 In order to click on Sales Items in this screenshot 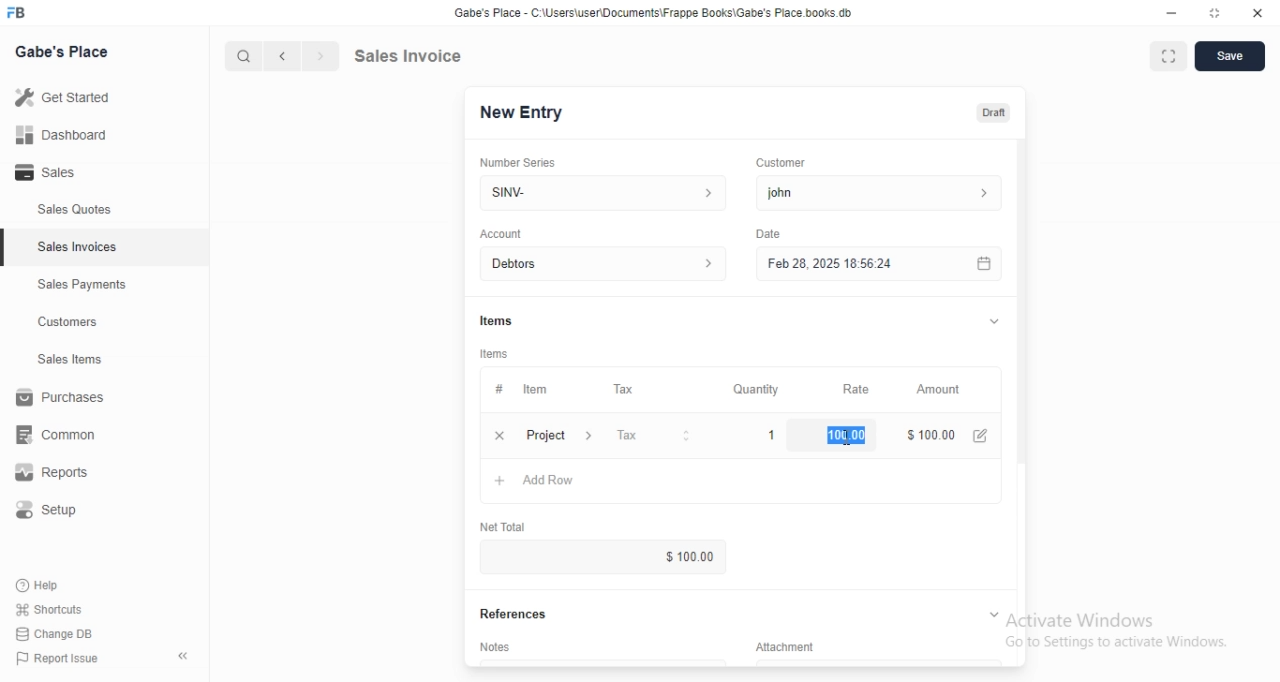, I will do `click(61, 360)`.